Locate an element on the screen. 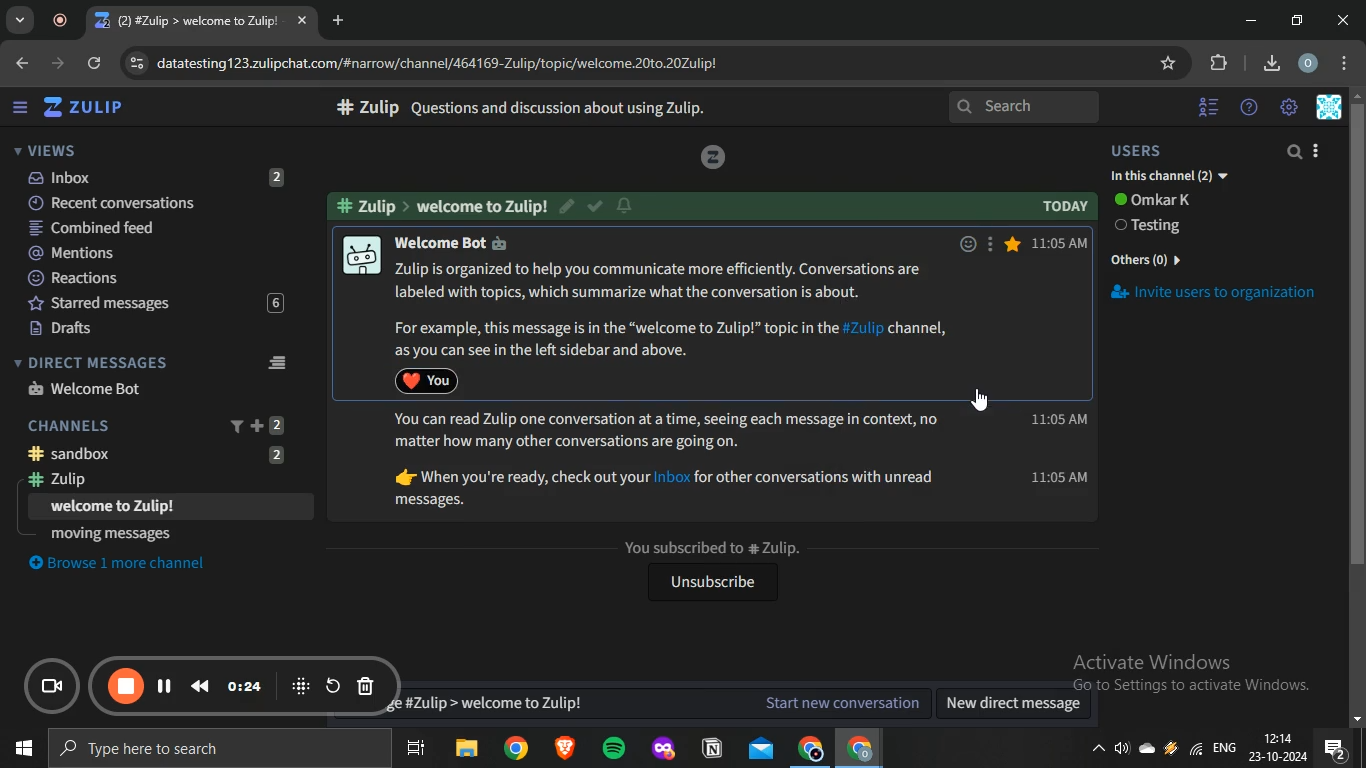 This screenshot has width=1366, height=768. wifi is located at coordinates (1194, 754).